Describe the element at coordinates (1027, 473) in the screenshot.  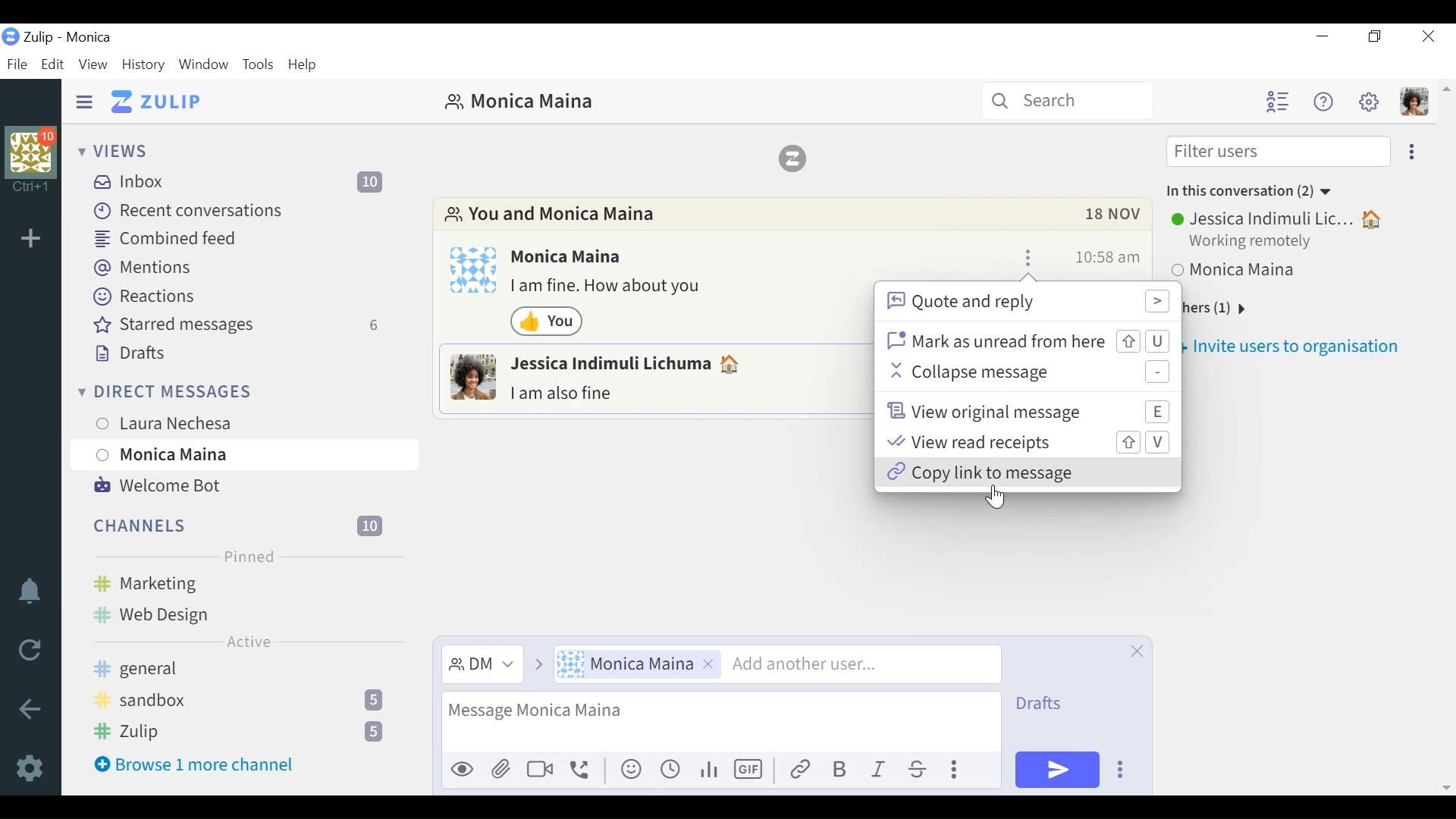
I see `Copy link to message` at that location.